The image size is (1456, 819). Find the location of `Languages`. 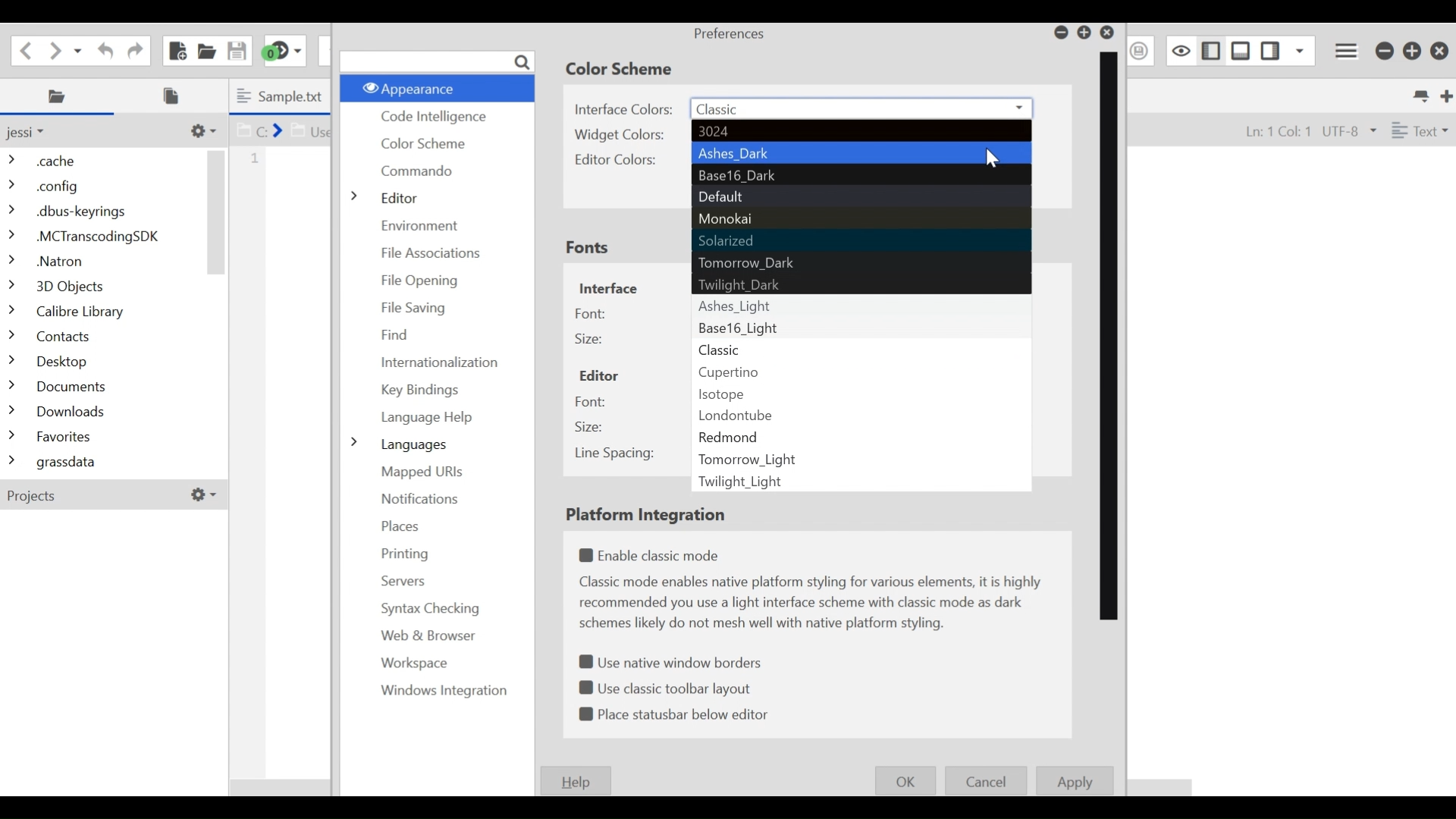

Languages is located at coordinates (399, 444).